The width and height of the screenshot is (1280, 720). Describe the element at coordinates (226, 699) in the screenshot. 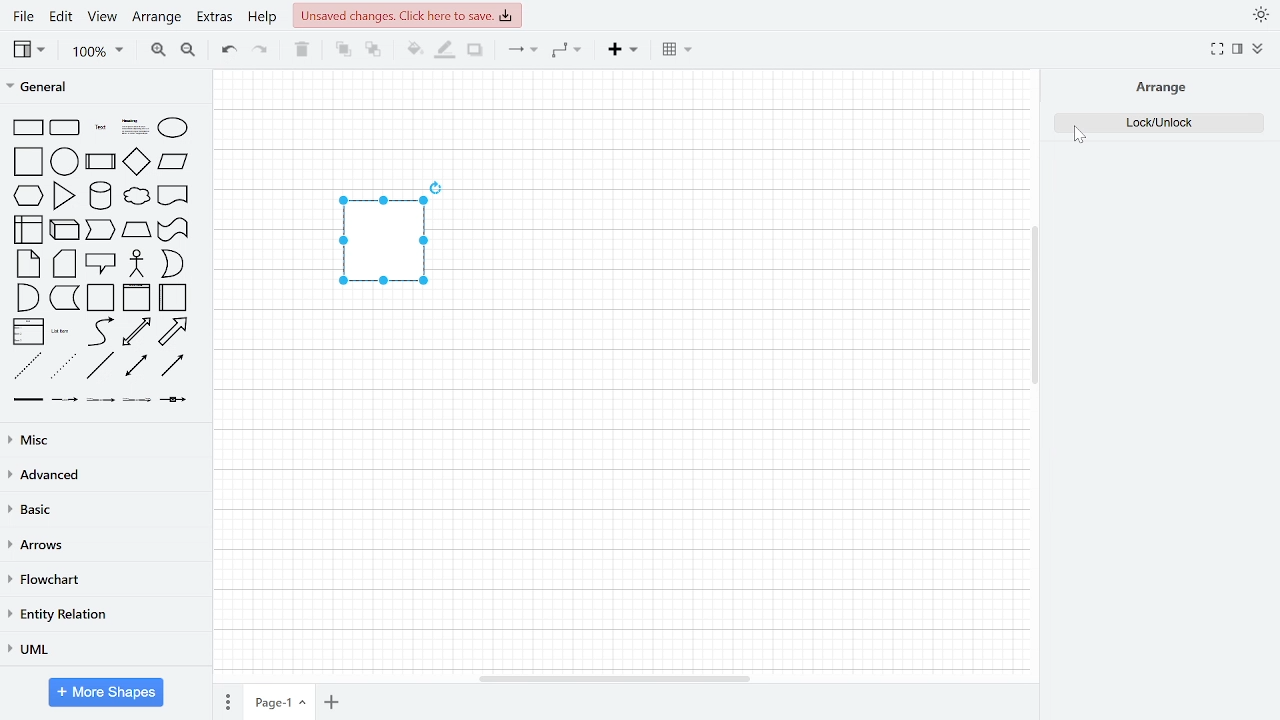

I see `pages` at that location.